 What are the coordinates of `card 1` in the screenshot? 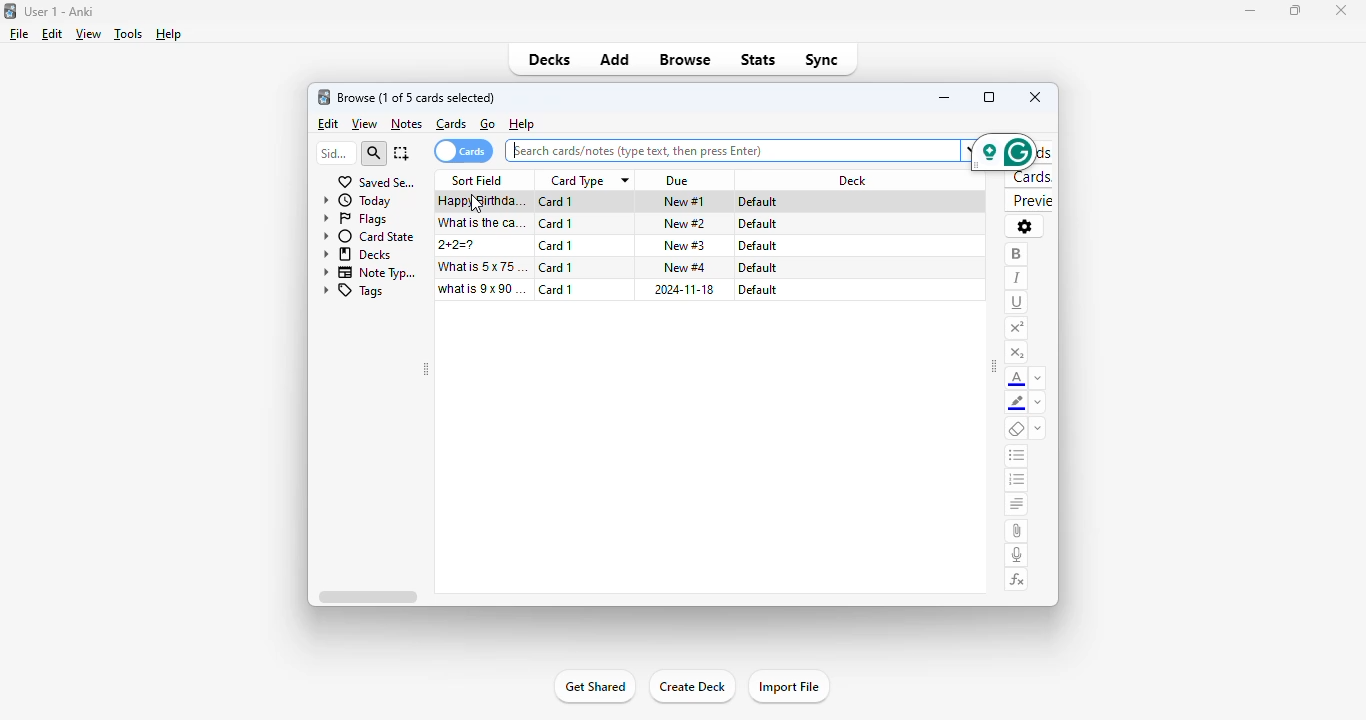 It's located at (555, 267).